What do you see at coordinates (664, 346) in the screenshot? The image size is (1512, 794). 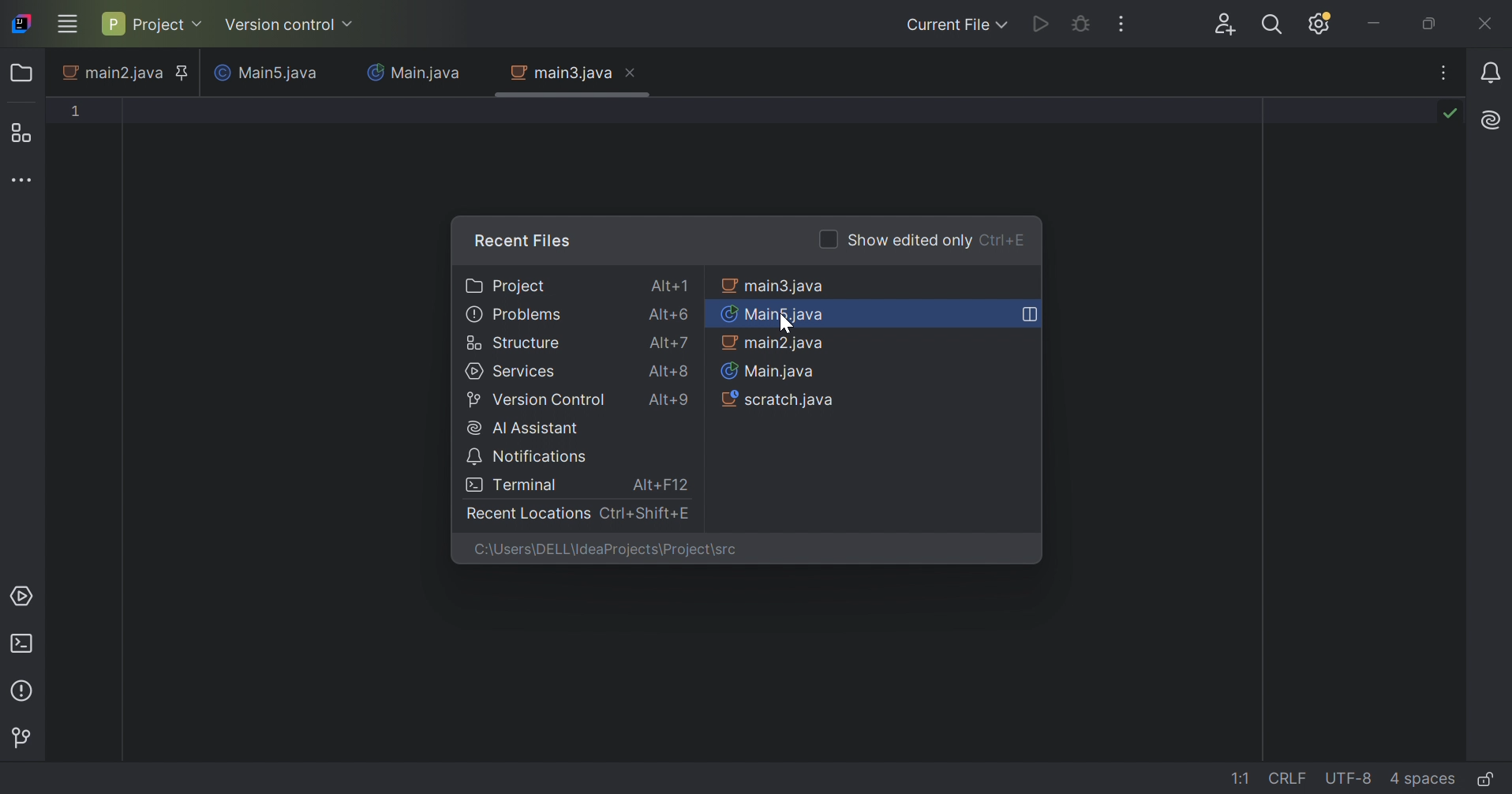 I see `Alt+7` at bounding box center [664, 346].